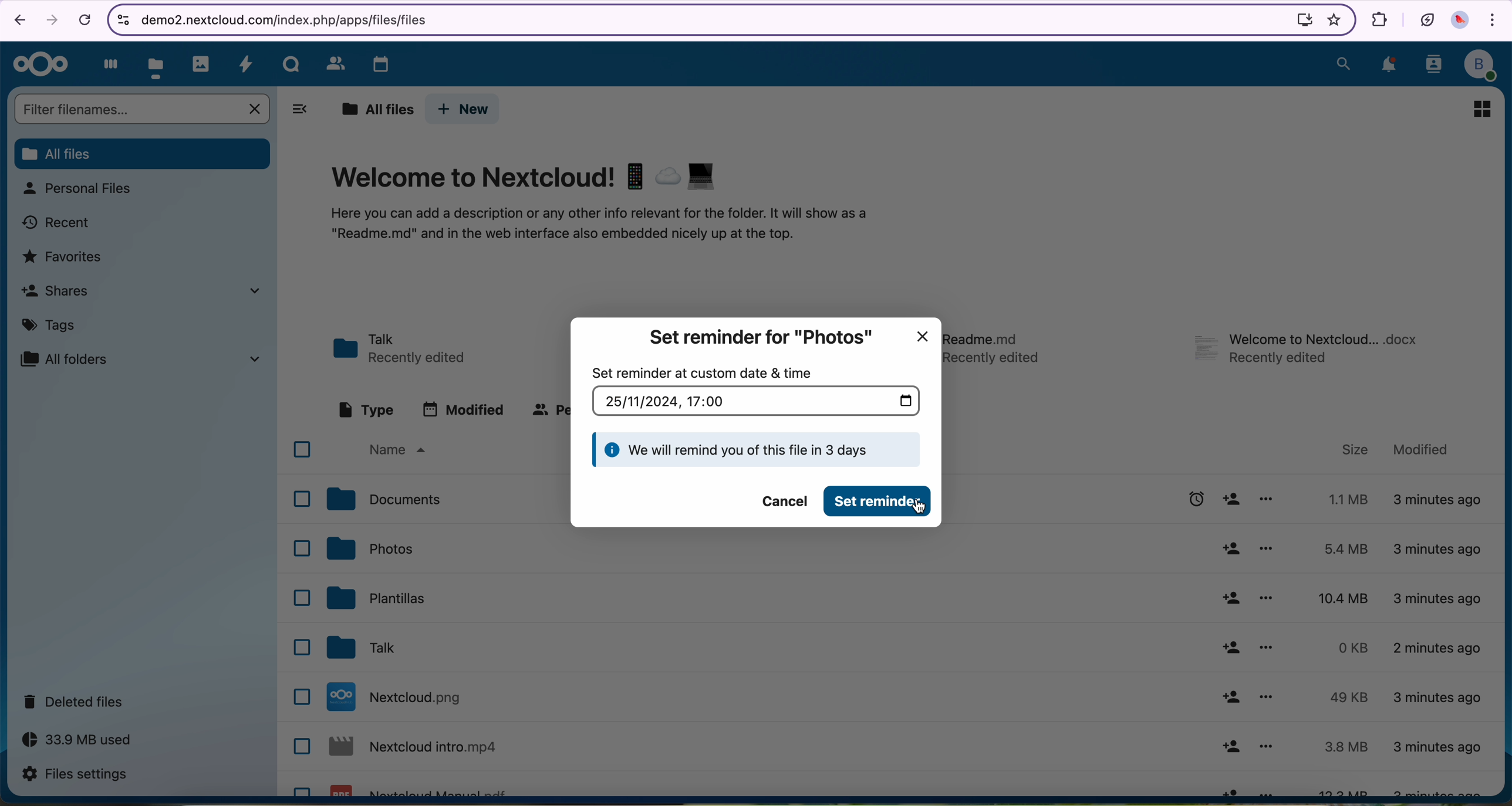 The height and width of the screenshot is (806, 1512). I want to click on navigate foward, so click(51, 21).